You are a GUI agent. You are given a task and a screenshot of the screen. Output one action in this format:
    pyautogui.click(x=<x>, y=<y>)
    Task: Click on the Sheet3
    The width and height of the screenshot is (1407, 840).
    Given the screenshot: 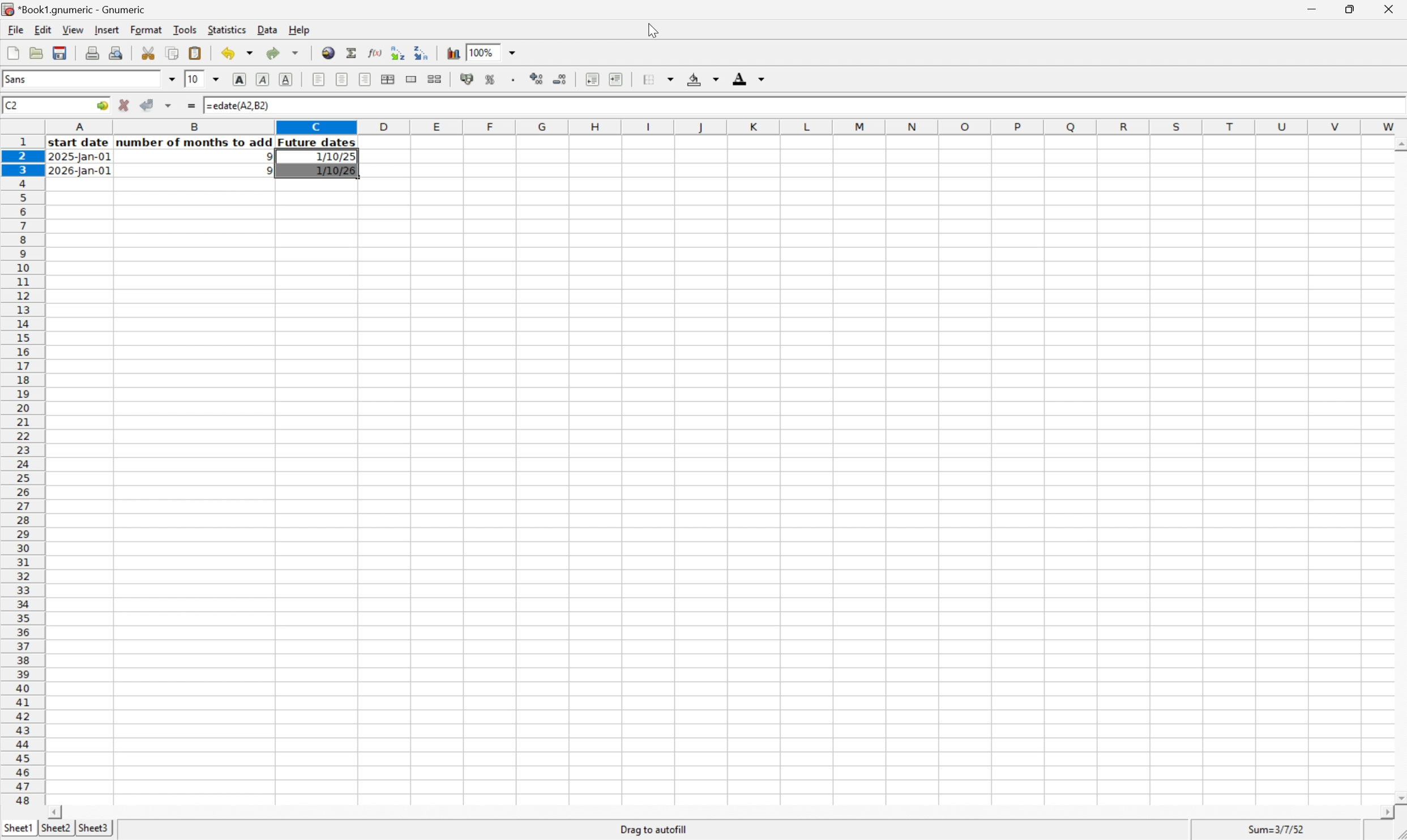 What is the action you would take?
    pyautogui.click(x=95, y=829)
    